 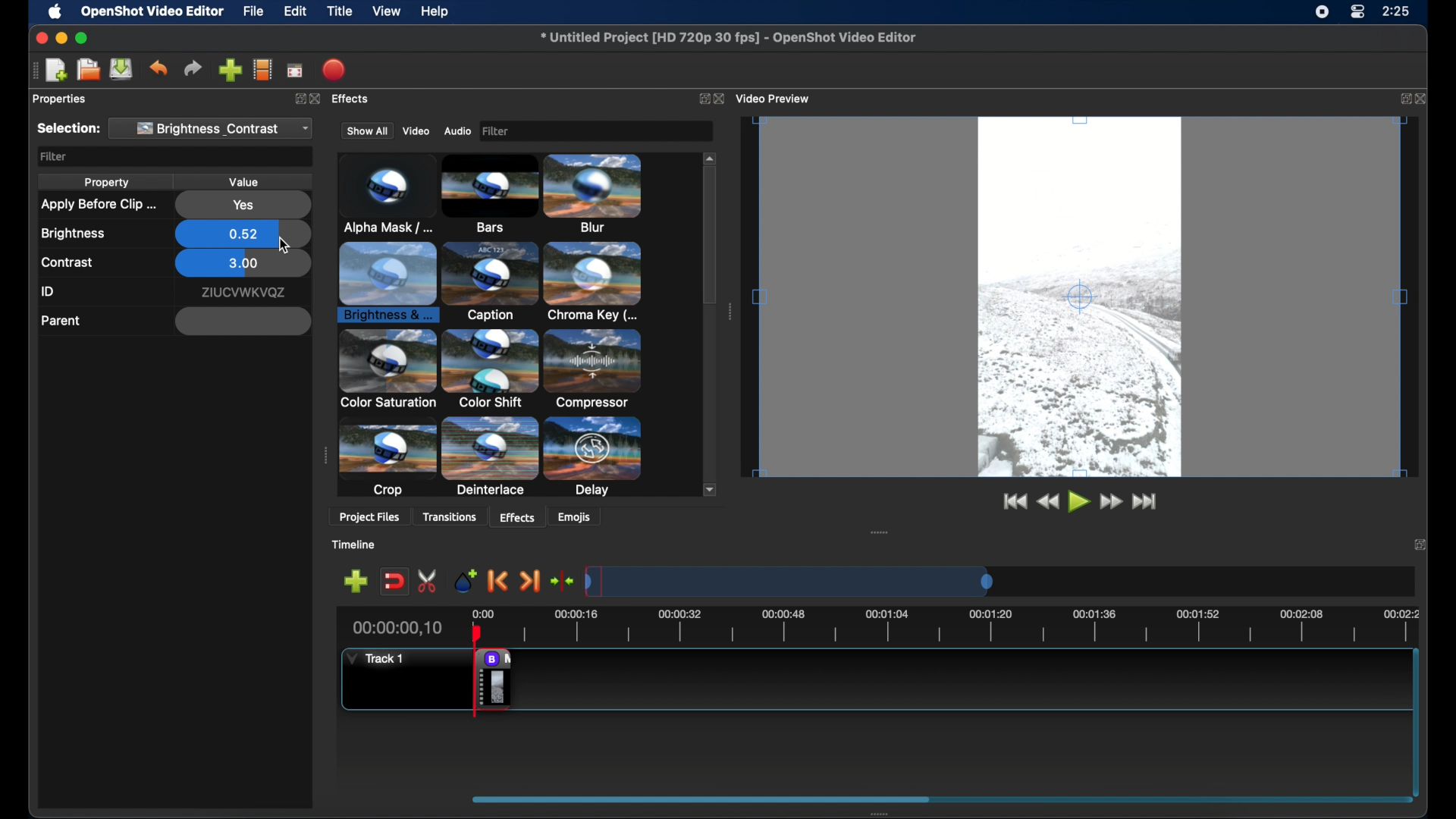 I want to click on timeline scale, so click(x=952, y=624).